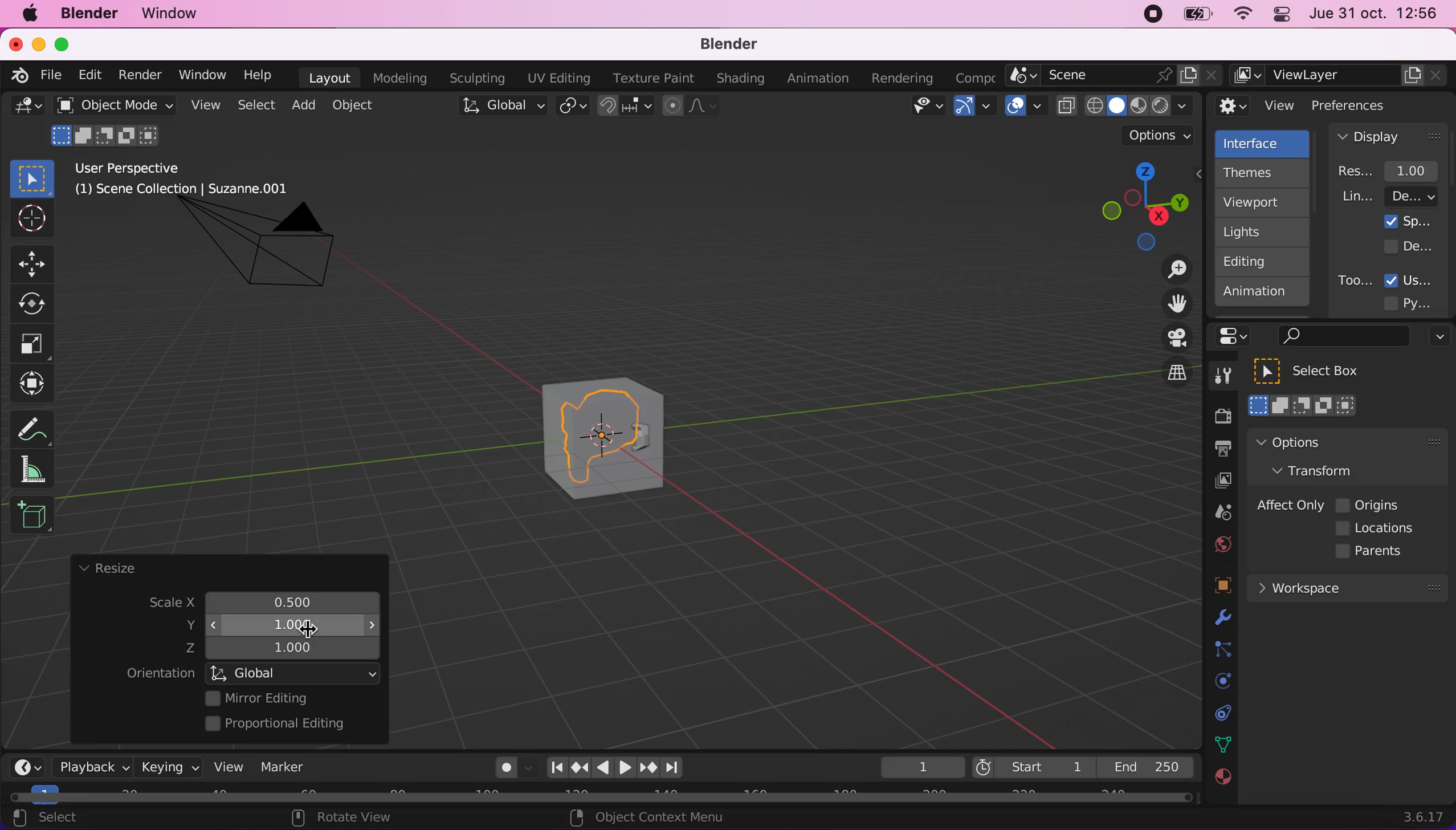 This screenshot has height=830, width=1456. What do you see at coordinates (925, 108) in the screenshot?
I see `view object types` at bounding box center [925, 108].